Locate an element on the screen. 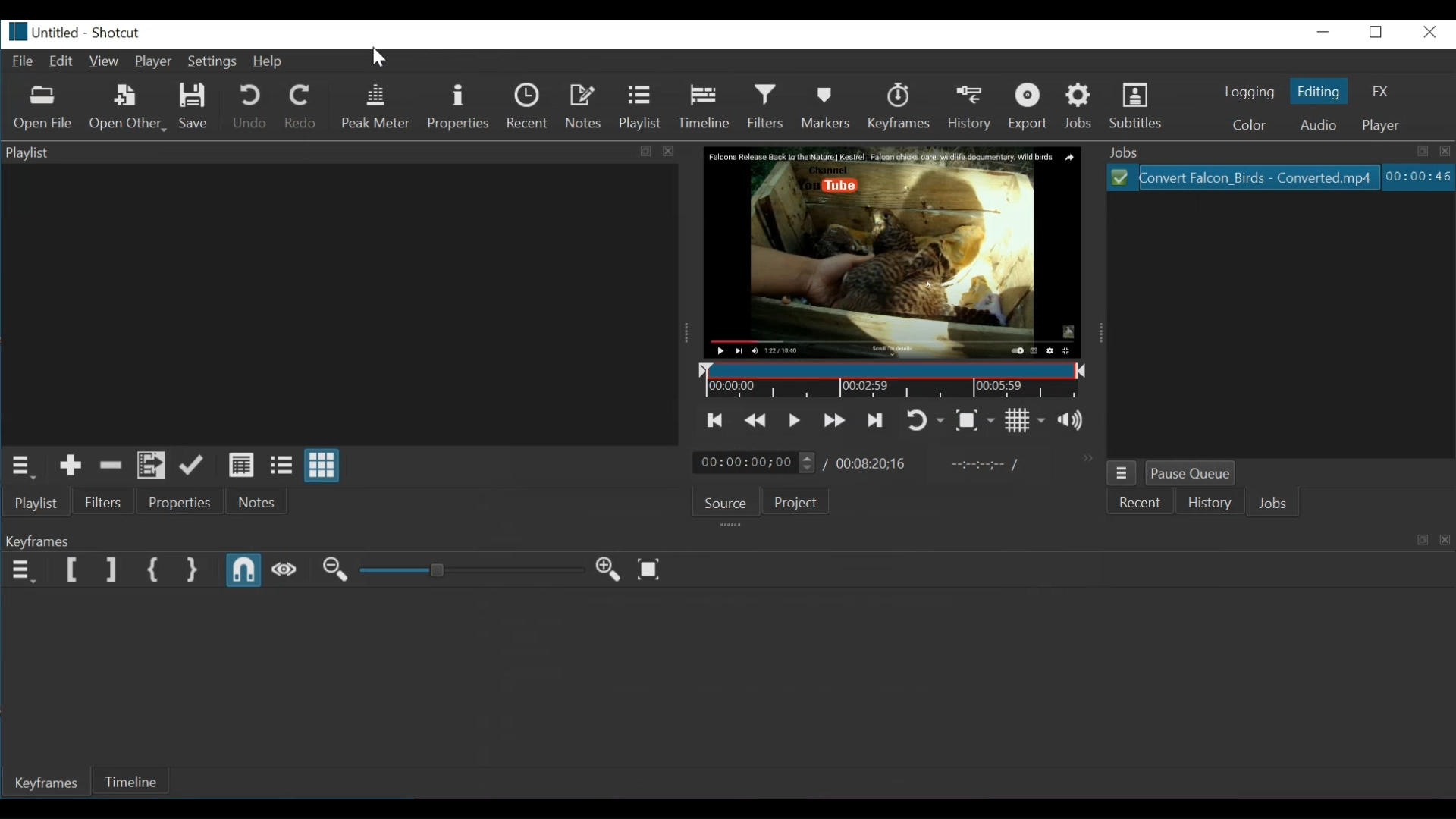 The height and width of the screenshot is (819, 1456). File is located at coordinates (25, 62).